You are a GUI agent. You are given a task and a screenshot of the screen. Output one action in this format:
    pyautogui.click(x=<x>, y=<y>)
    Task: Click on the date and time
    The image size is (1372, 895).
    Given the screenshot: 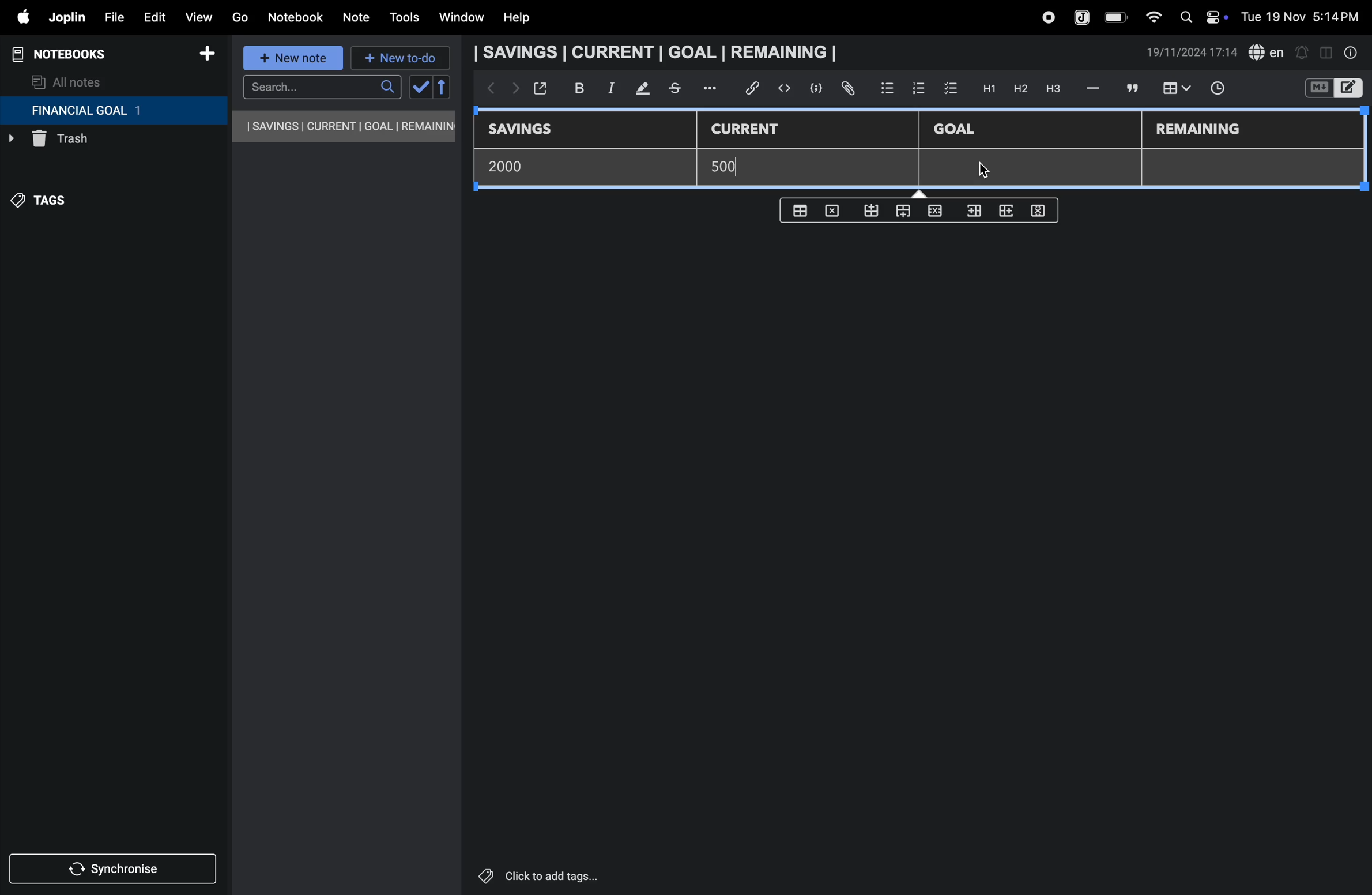 What is the action you would take?
    pyautogui.click(x=1304, y=16)
    